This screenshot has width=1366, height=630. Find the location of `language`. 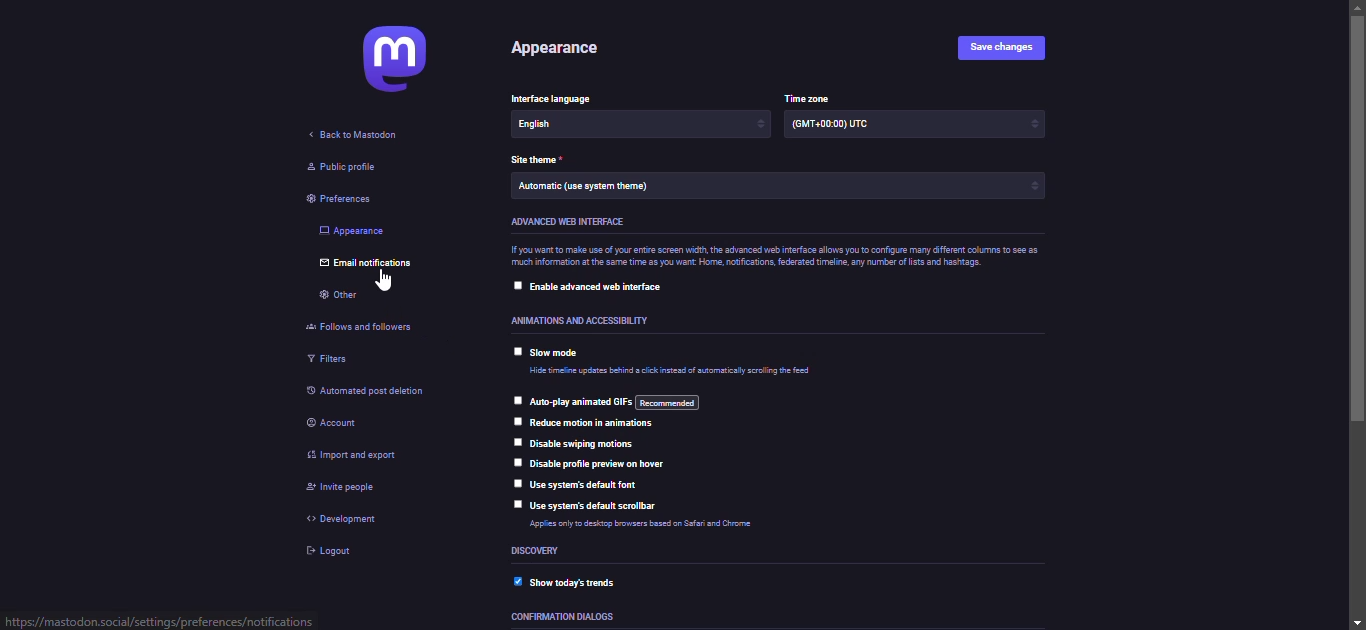

language is located at coordinates (559, 100).